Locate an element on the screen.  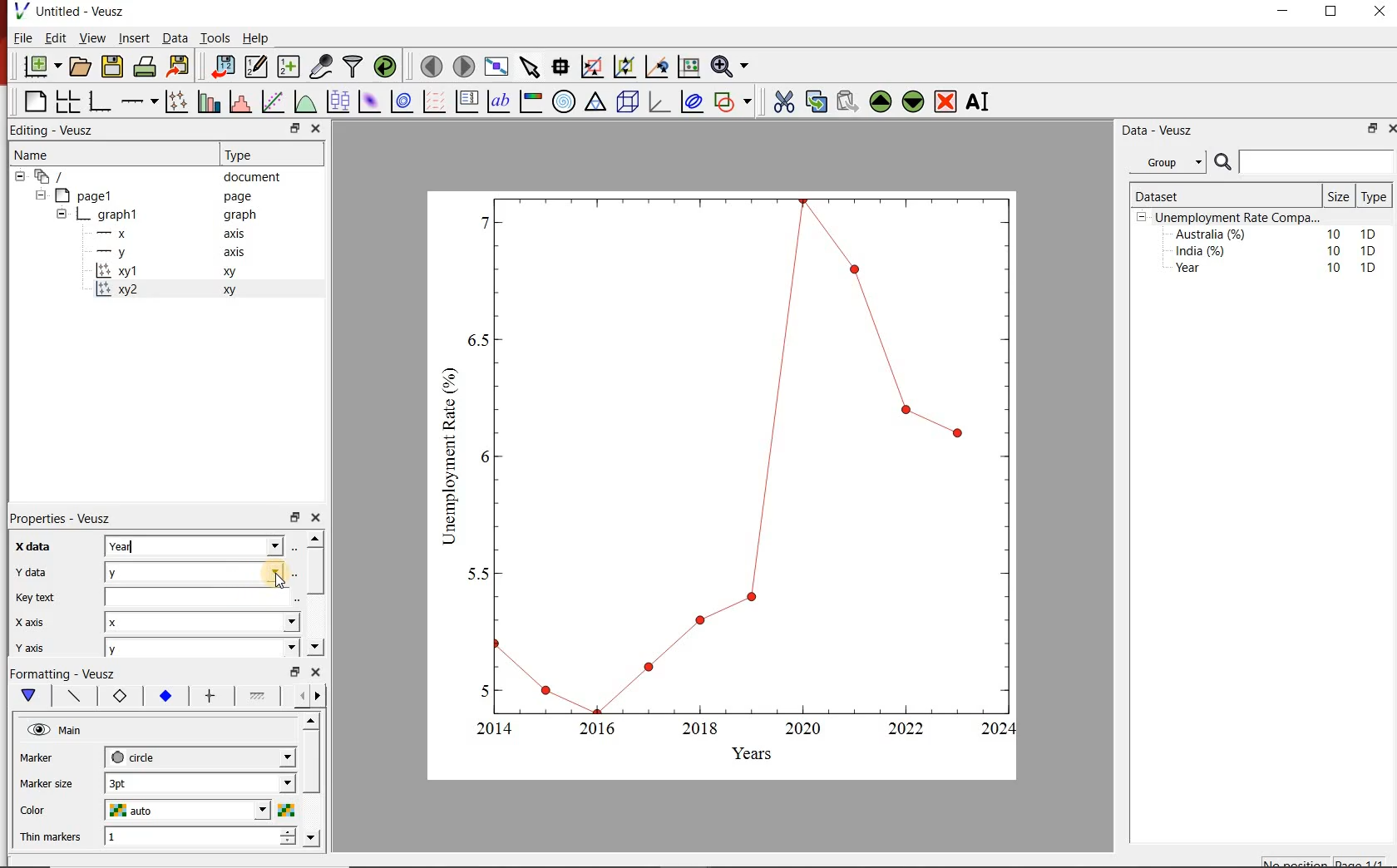
close is located at coordinates (317, 518).